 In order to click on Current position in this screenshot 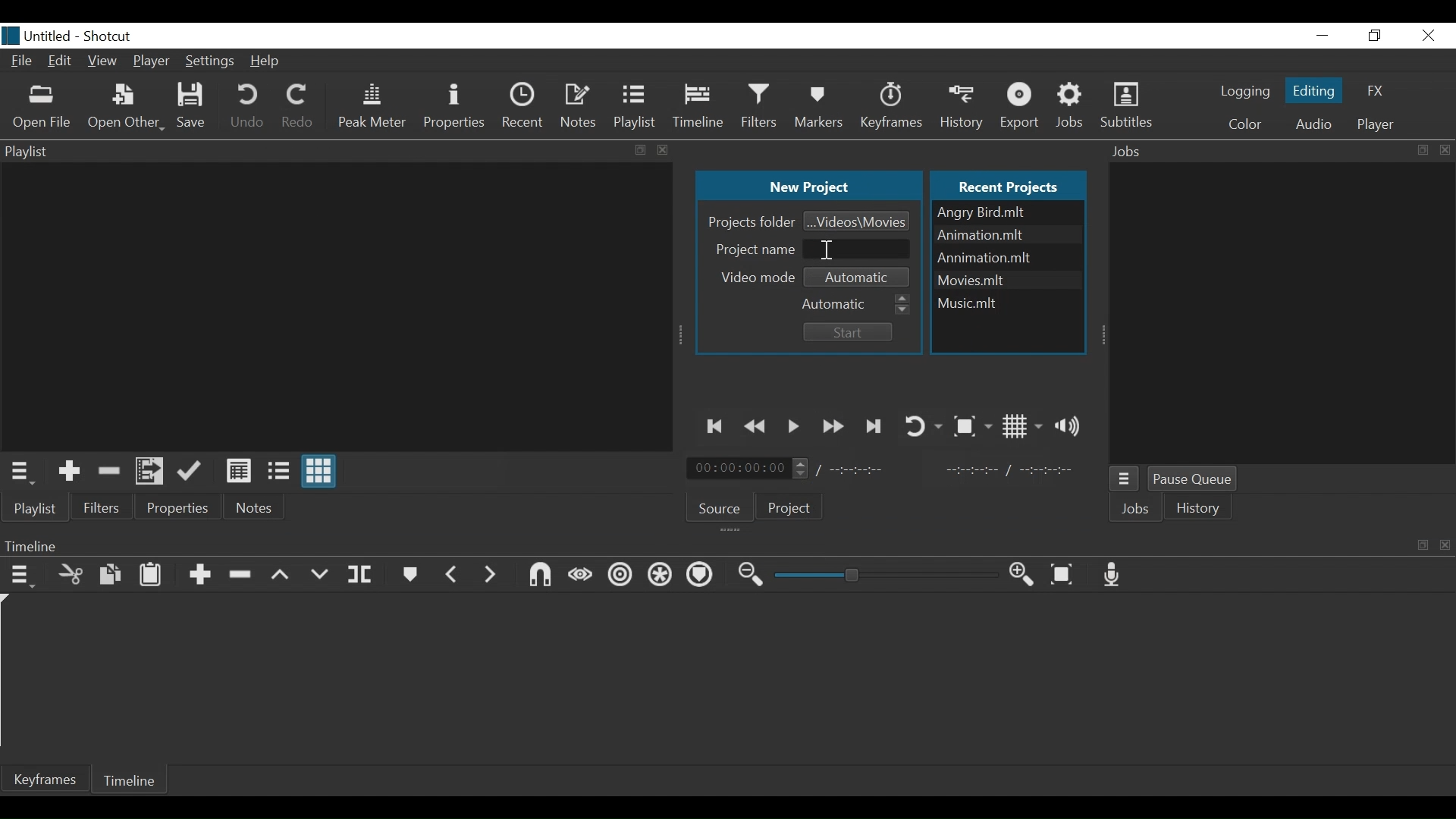, I will do `click(752, 469)`.